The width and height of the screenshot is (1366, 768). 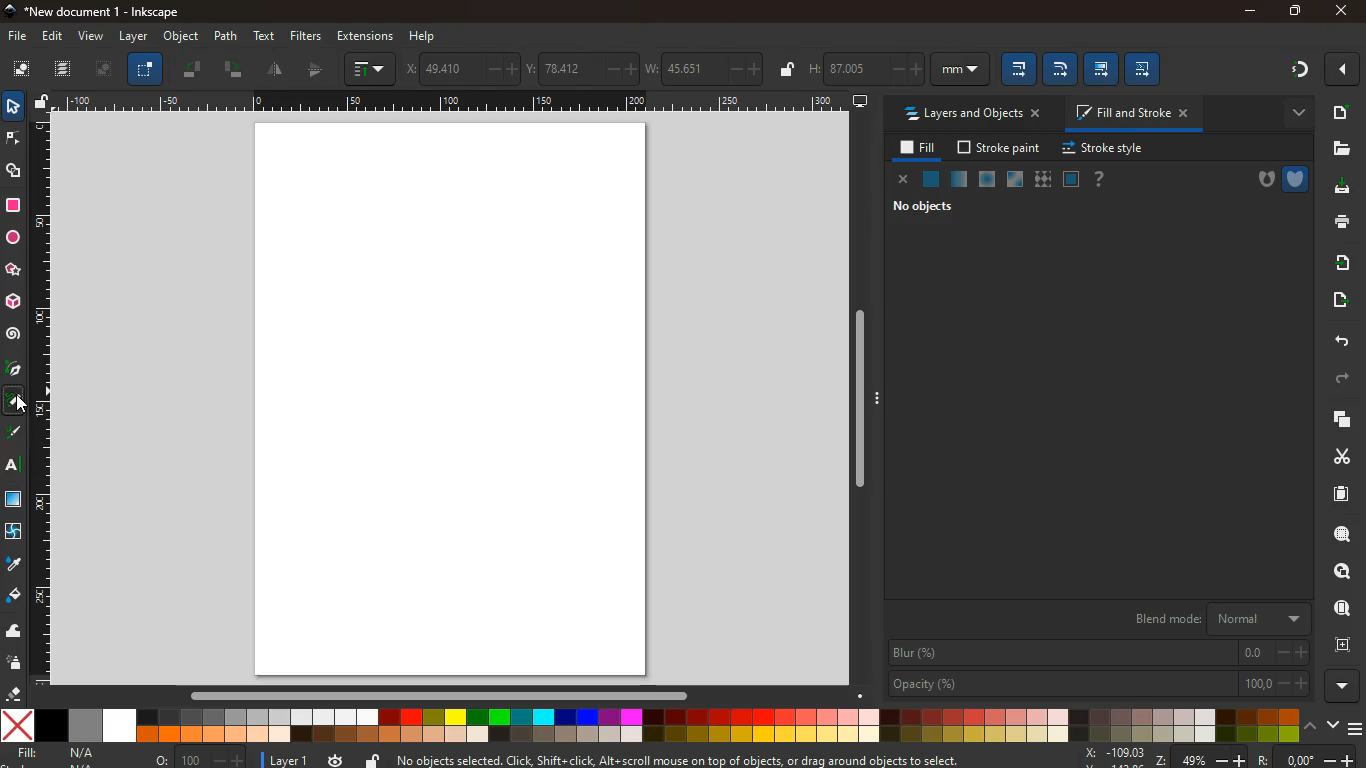 What do you see at coordinates (93, 13) in the screenshot?
I see `*New document 1 - Inkscape` at bounding box center [93, 13].